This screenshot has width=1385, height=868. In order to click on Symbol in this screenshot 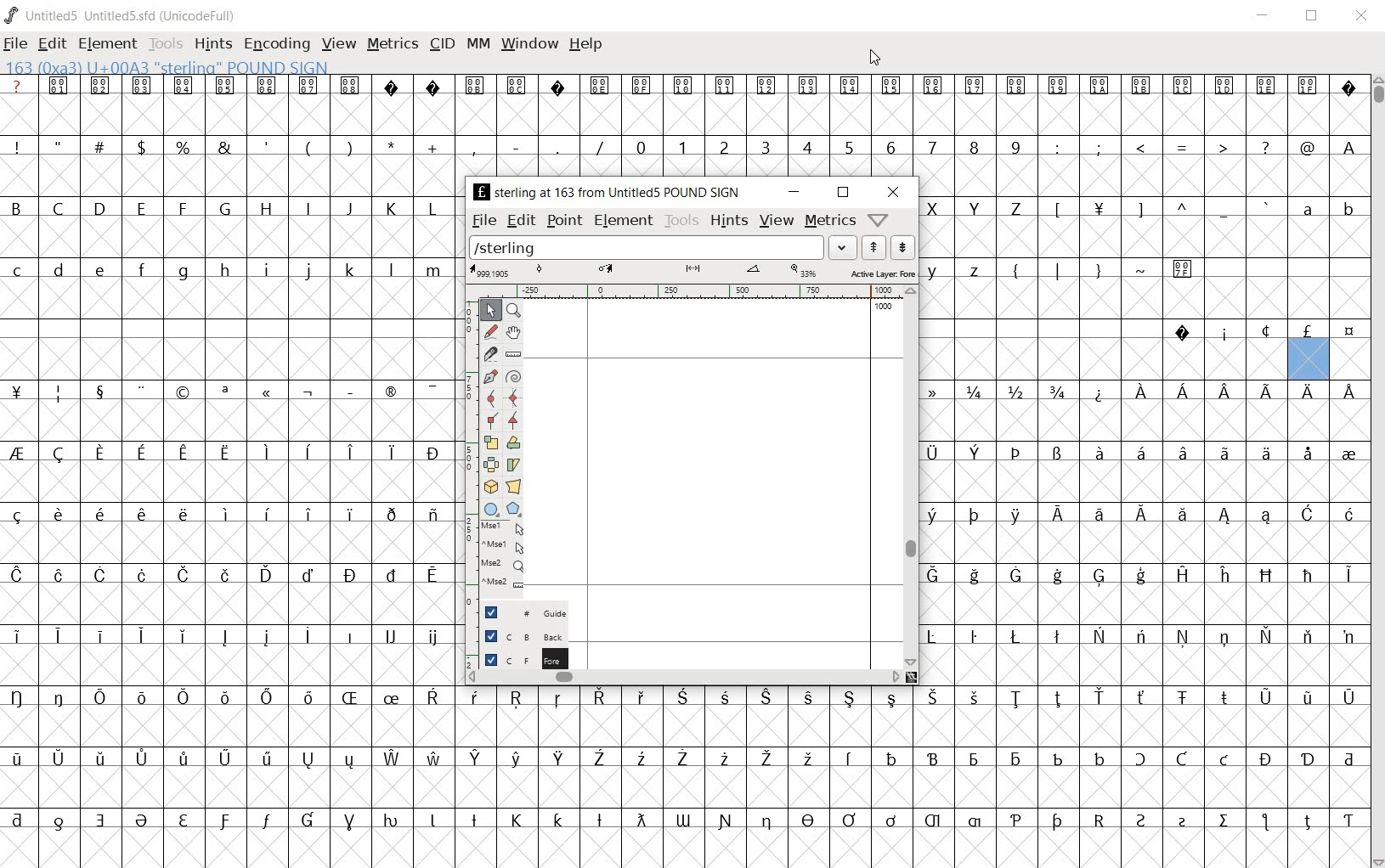, I will do `click(226, 86)`.